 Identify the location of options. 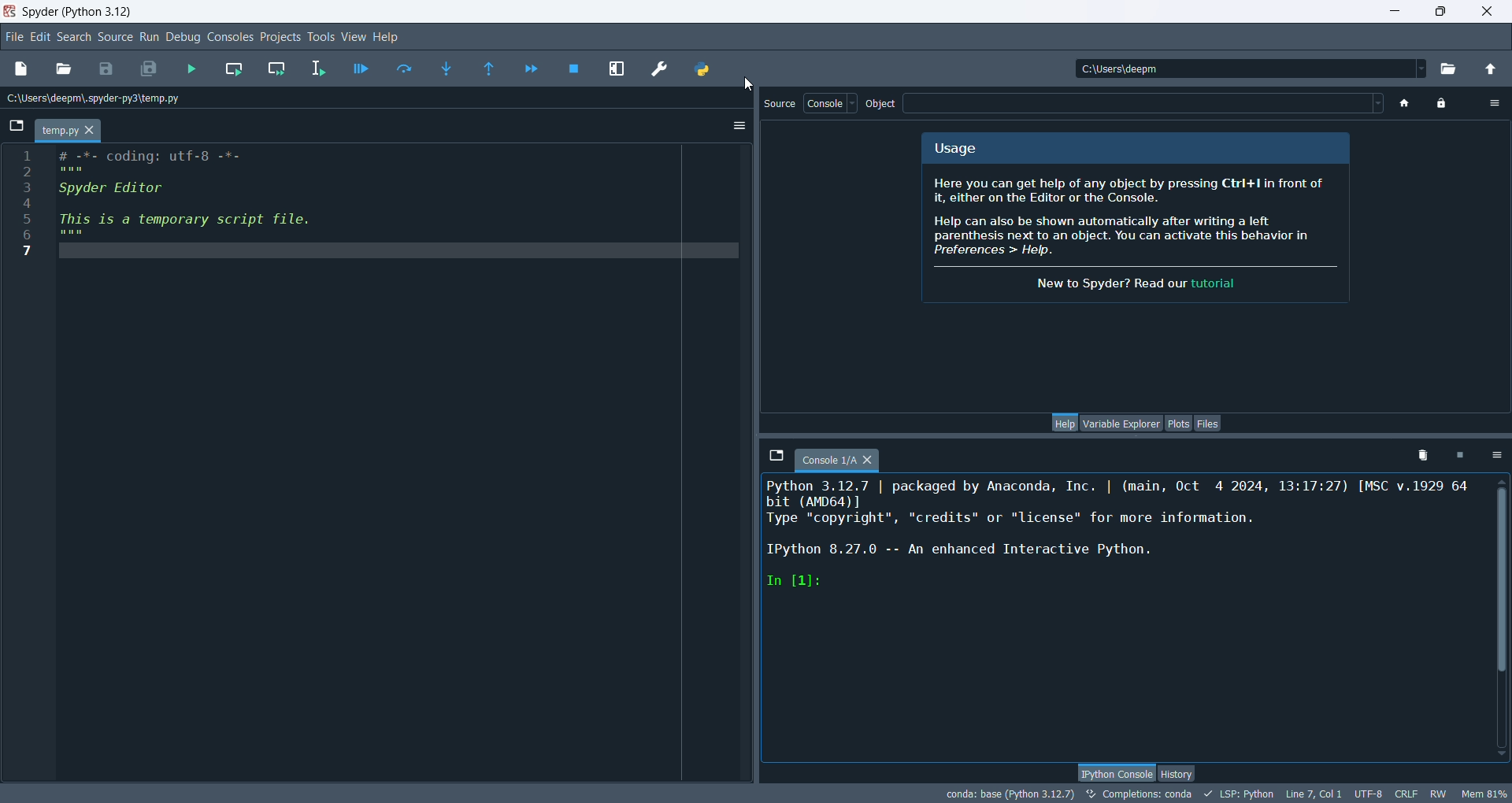
(1497, 454).